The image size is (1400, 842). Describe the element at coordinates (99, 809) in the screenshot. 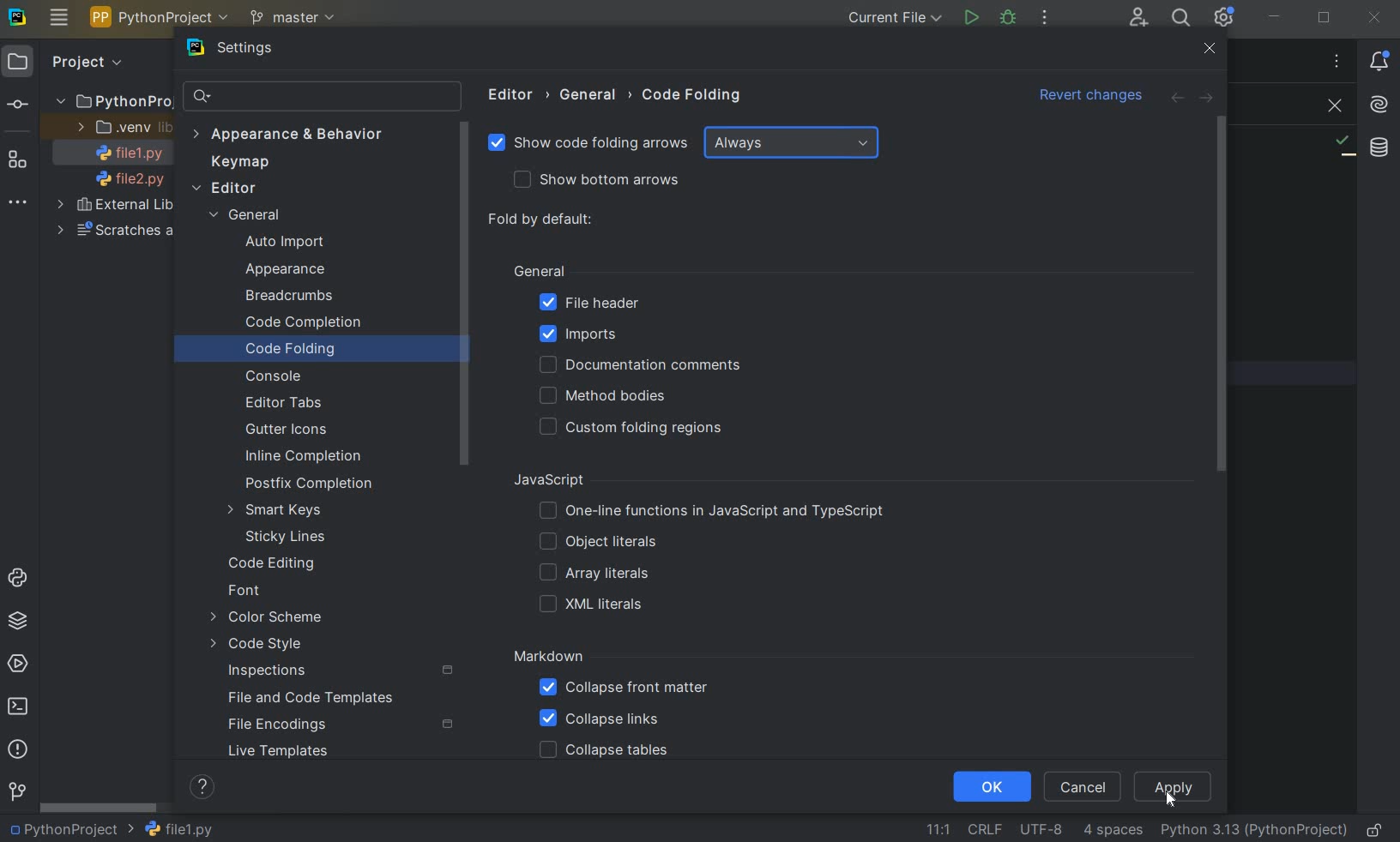

I see `SCROLLBAR` at that location.